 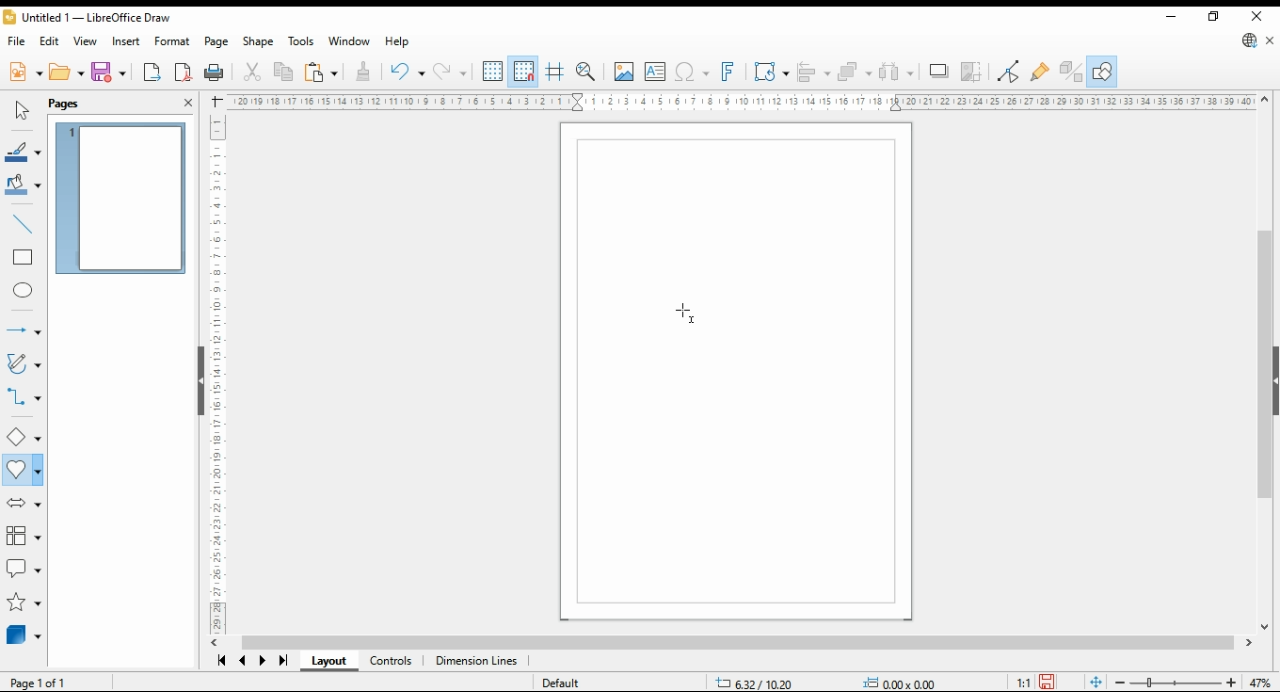 What do you see at coordinates (364, 71) in the screenshot?
I see `close formatting` at bounding box center [364, 71].